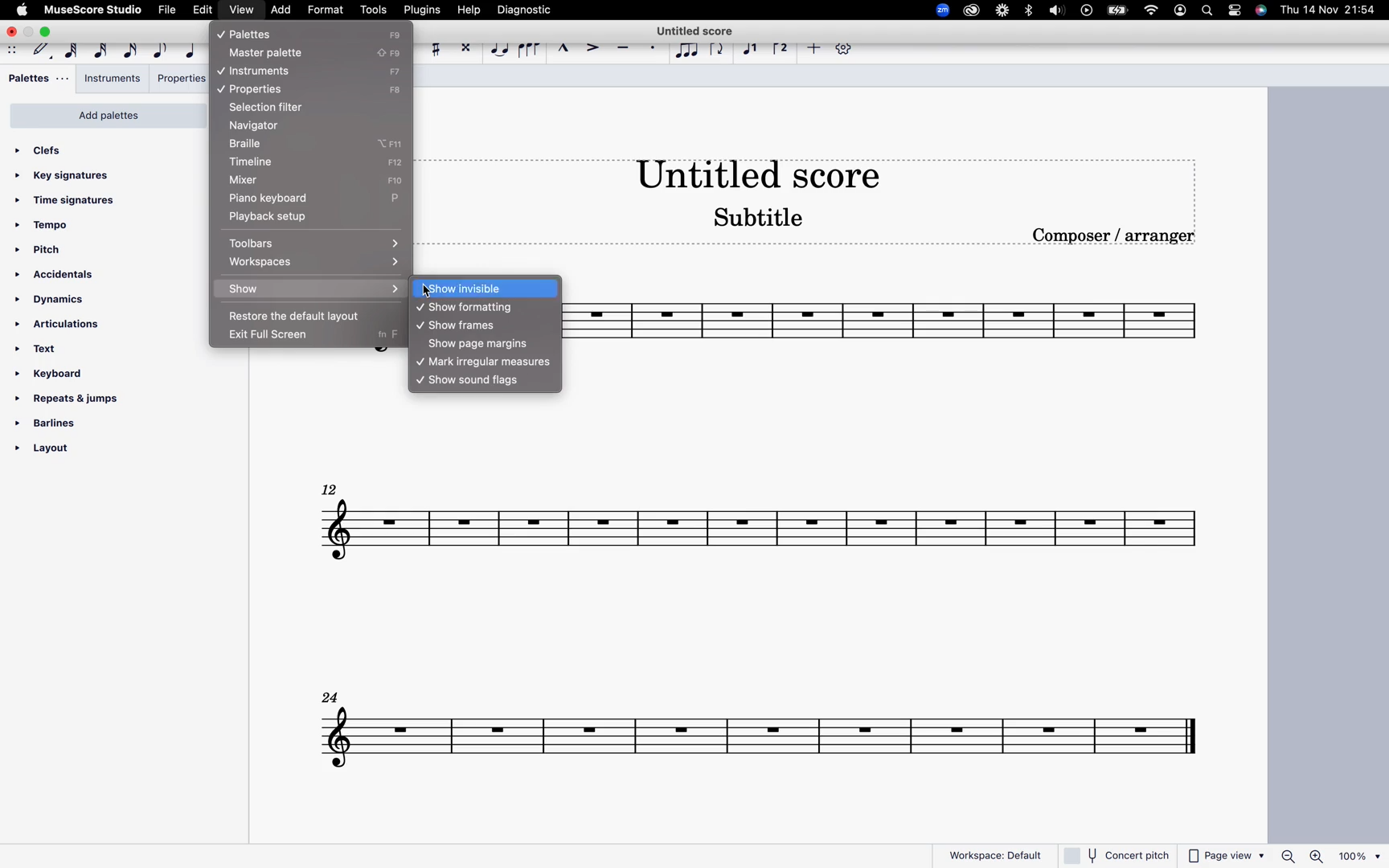  I want to click on score, so click(897, 322).